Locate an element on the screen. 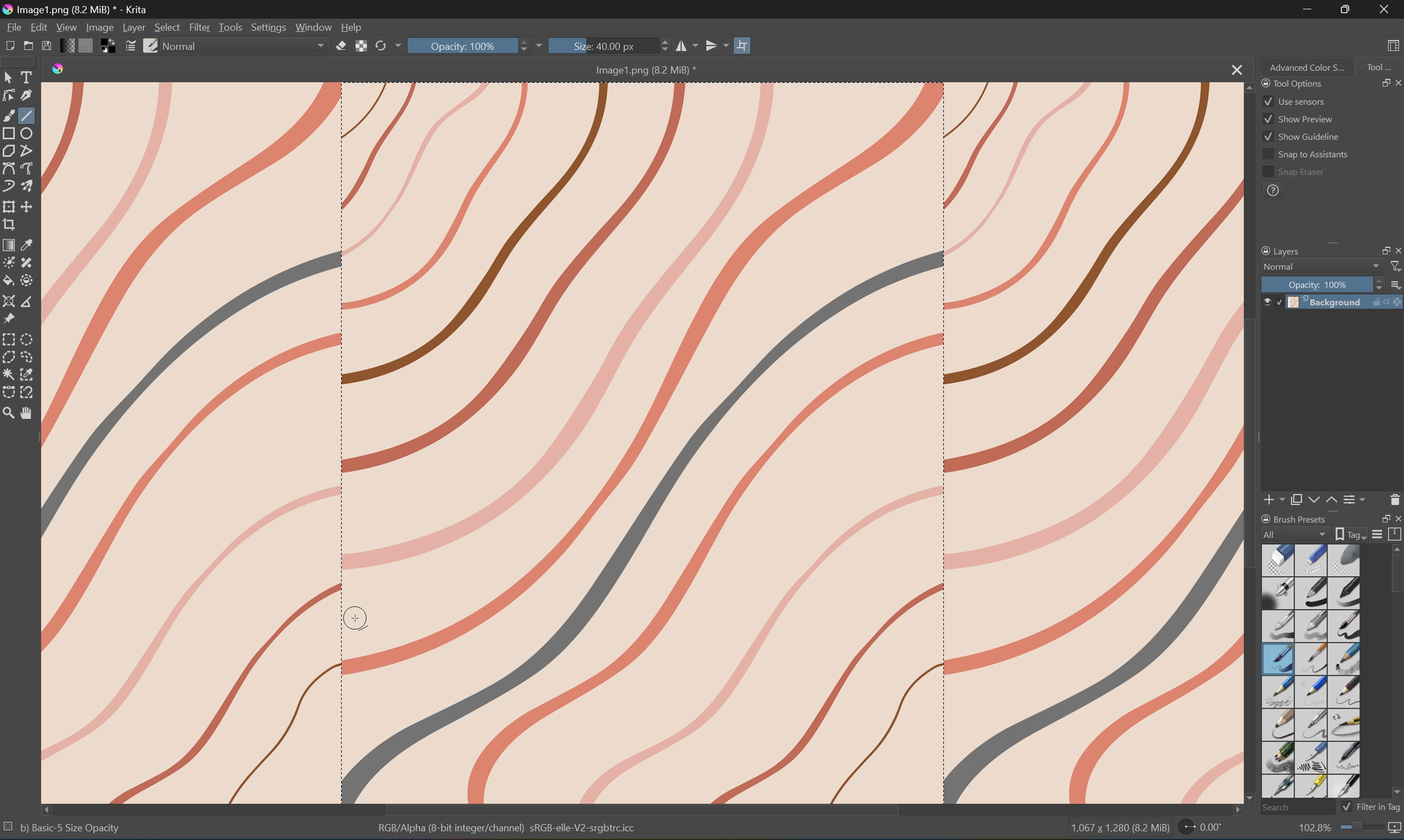 The image size is (1404, 840). Scroll Right is located at coordinates (1232, 811).